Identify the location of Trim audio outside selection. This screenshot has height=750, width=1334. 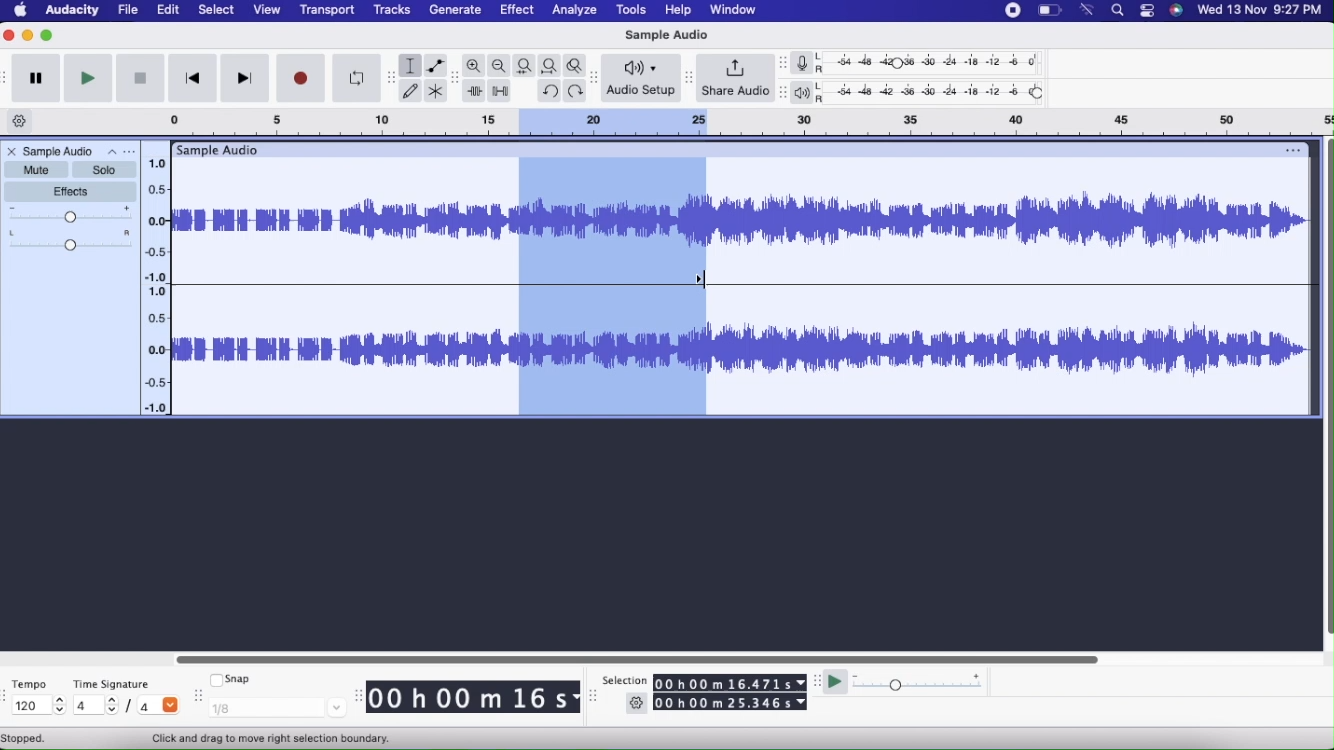
(474, 92).